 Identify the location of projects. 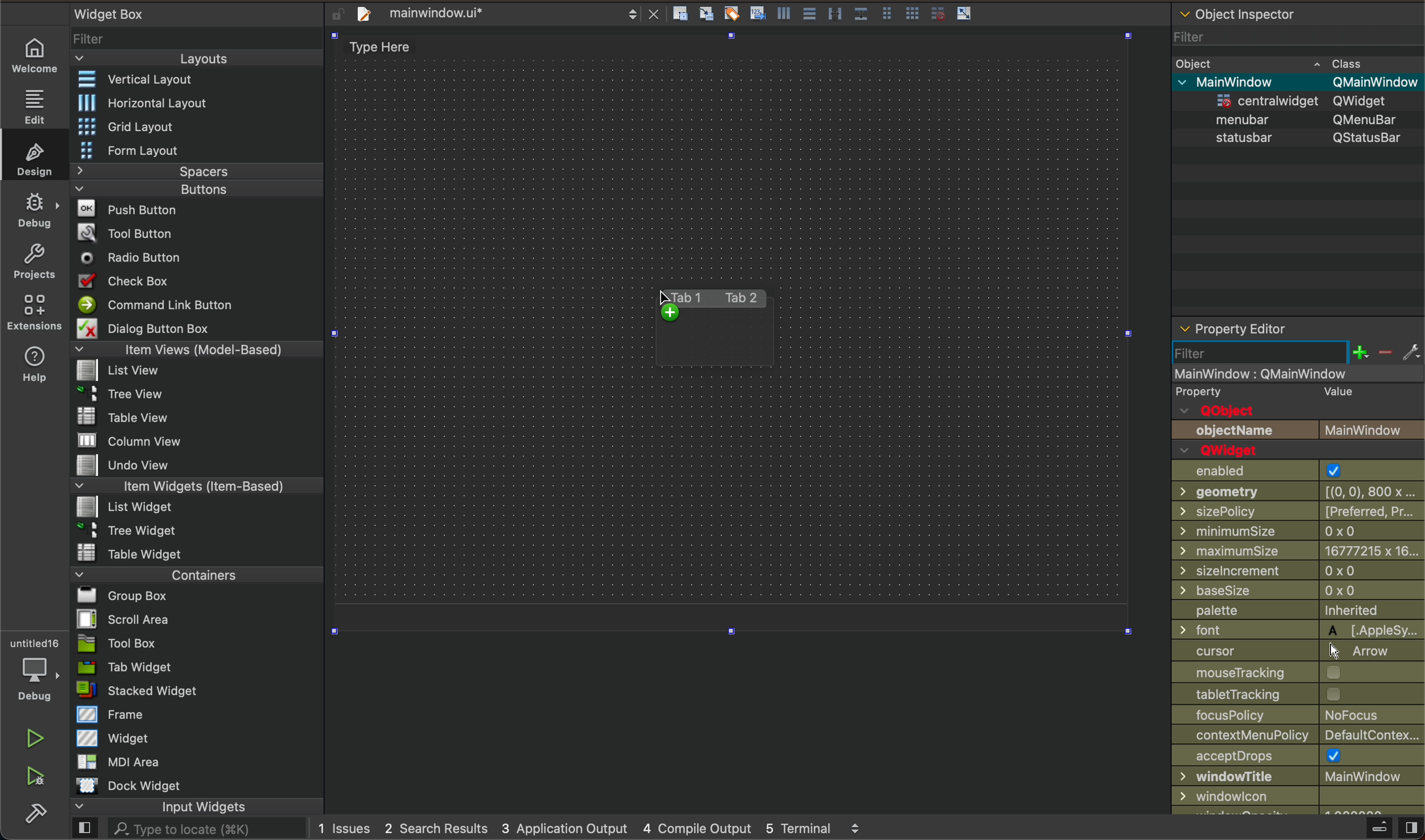
(36, 261).